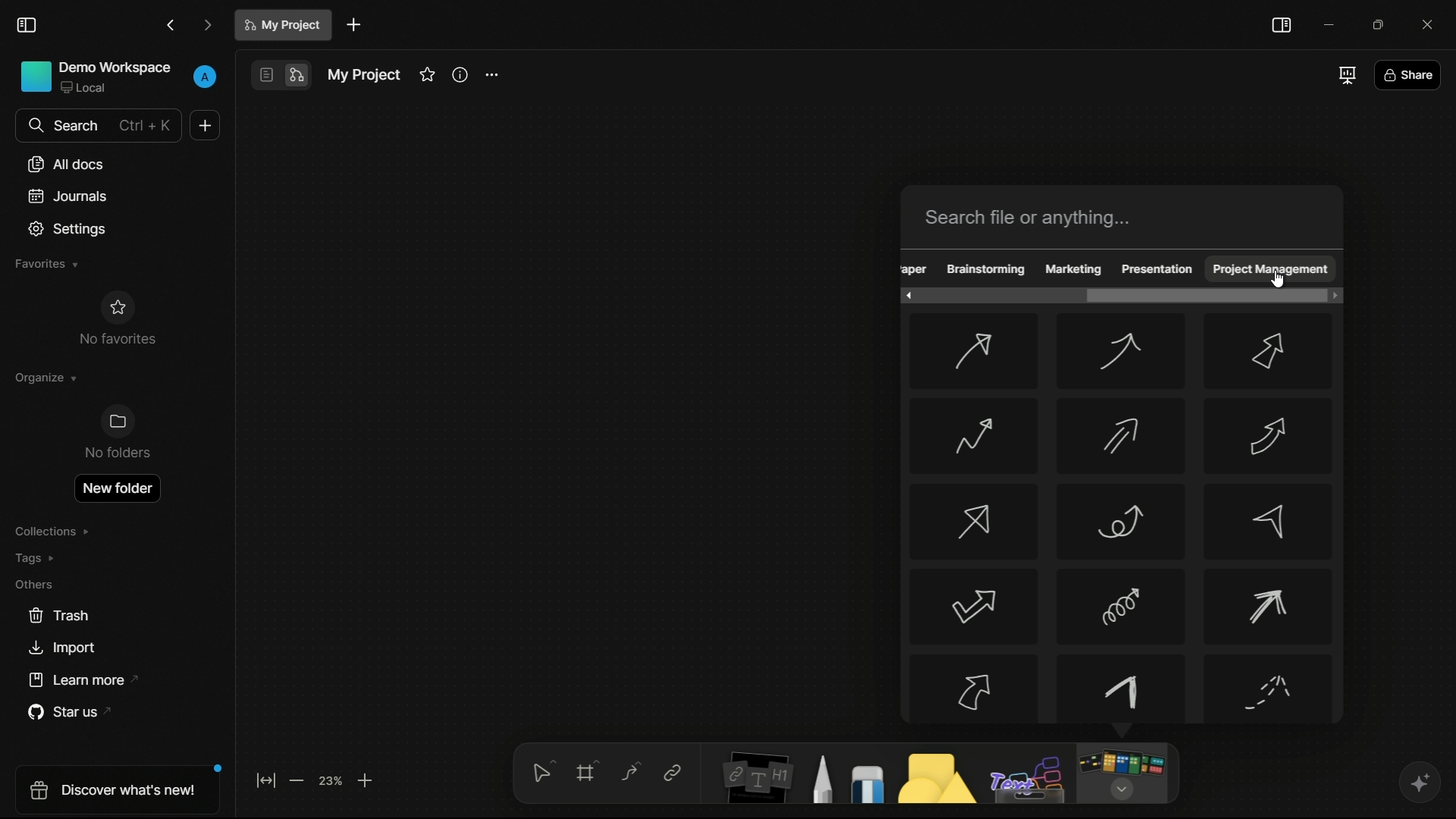  Describe the element at coordinates (33, 584) in the screenshot. I see `others` at that location.